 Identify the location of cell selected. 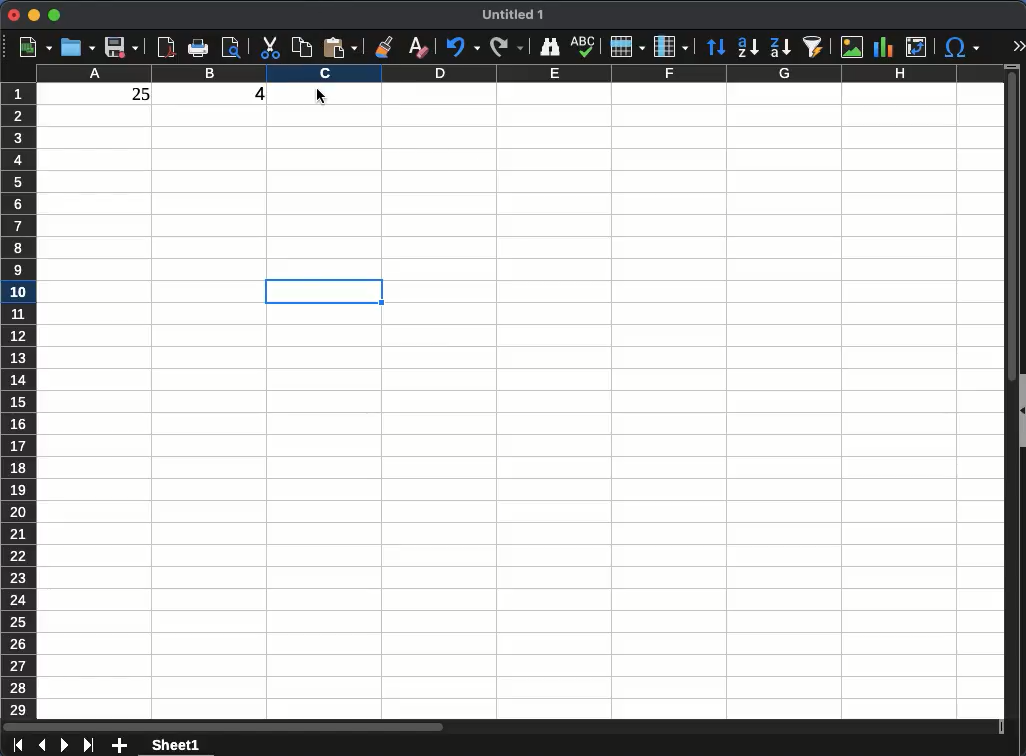
(324, 291).